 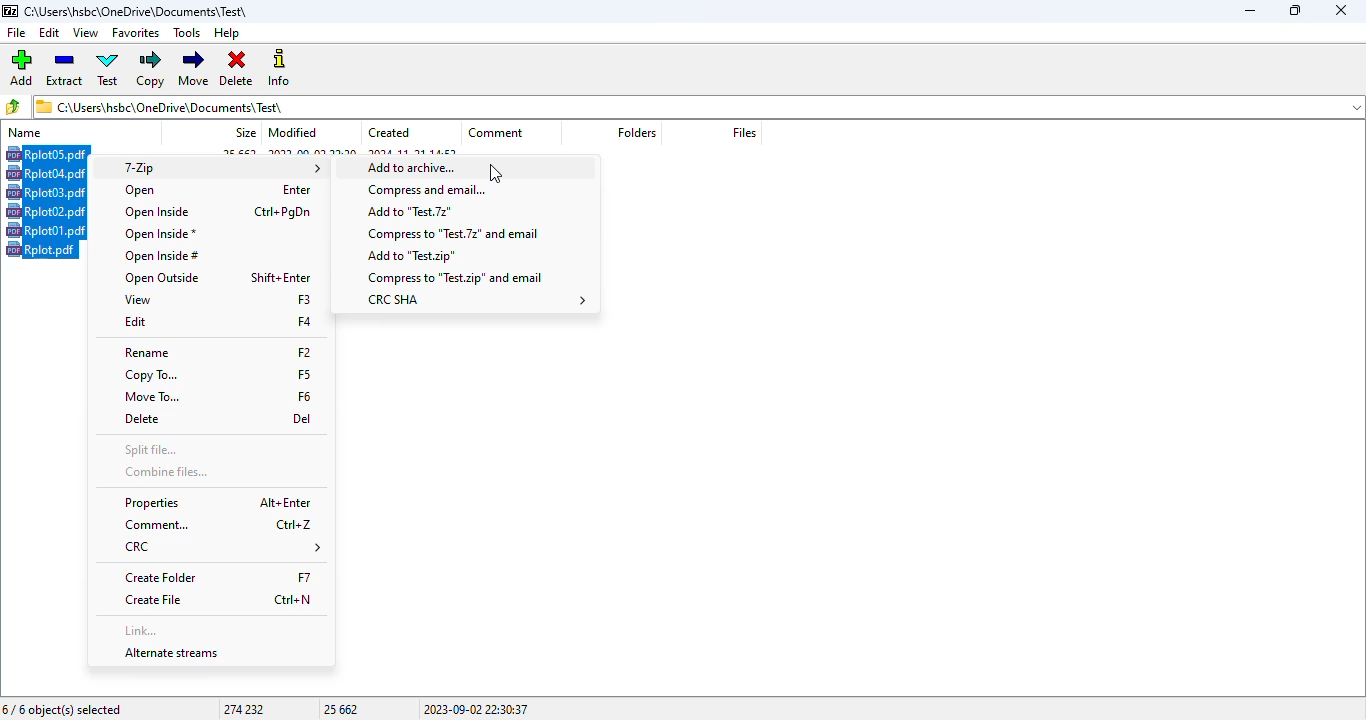 What do you see at coordinates (188, 33) in the screenshot?
I see `tools` at bounding box center [188, 33].